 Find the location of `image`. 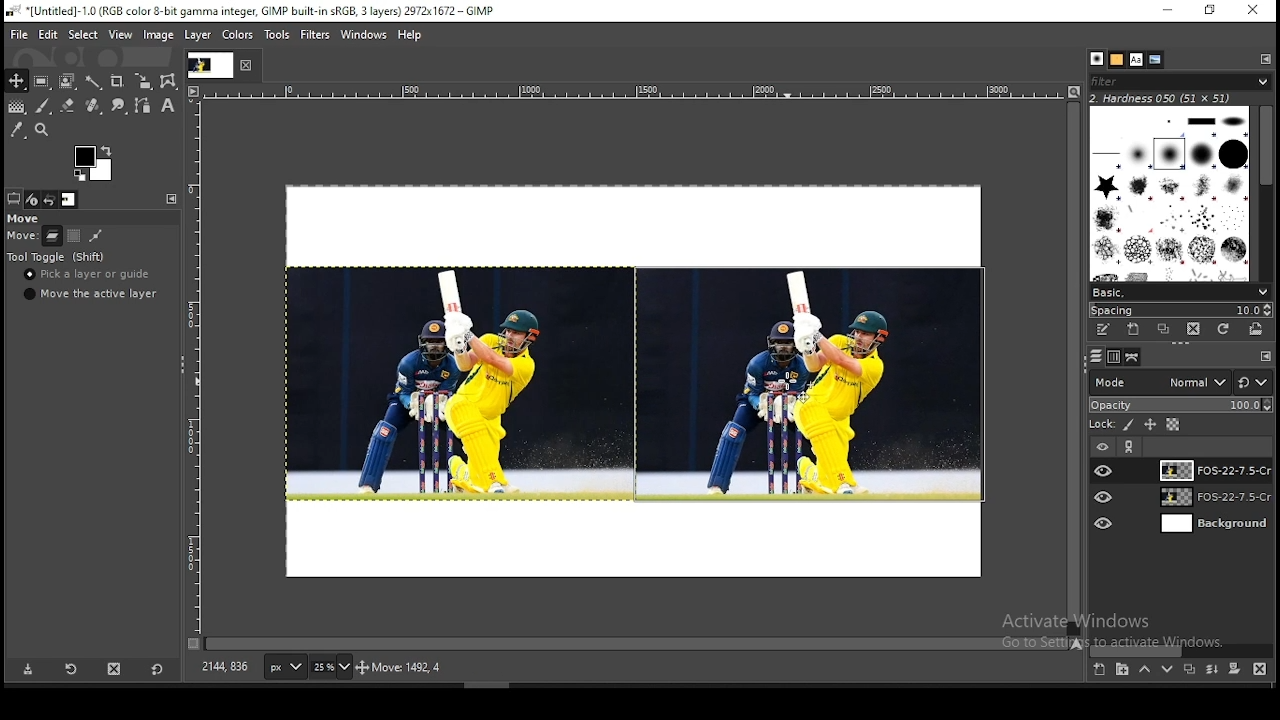

image is located at coordinates (159, 34).